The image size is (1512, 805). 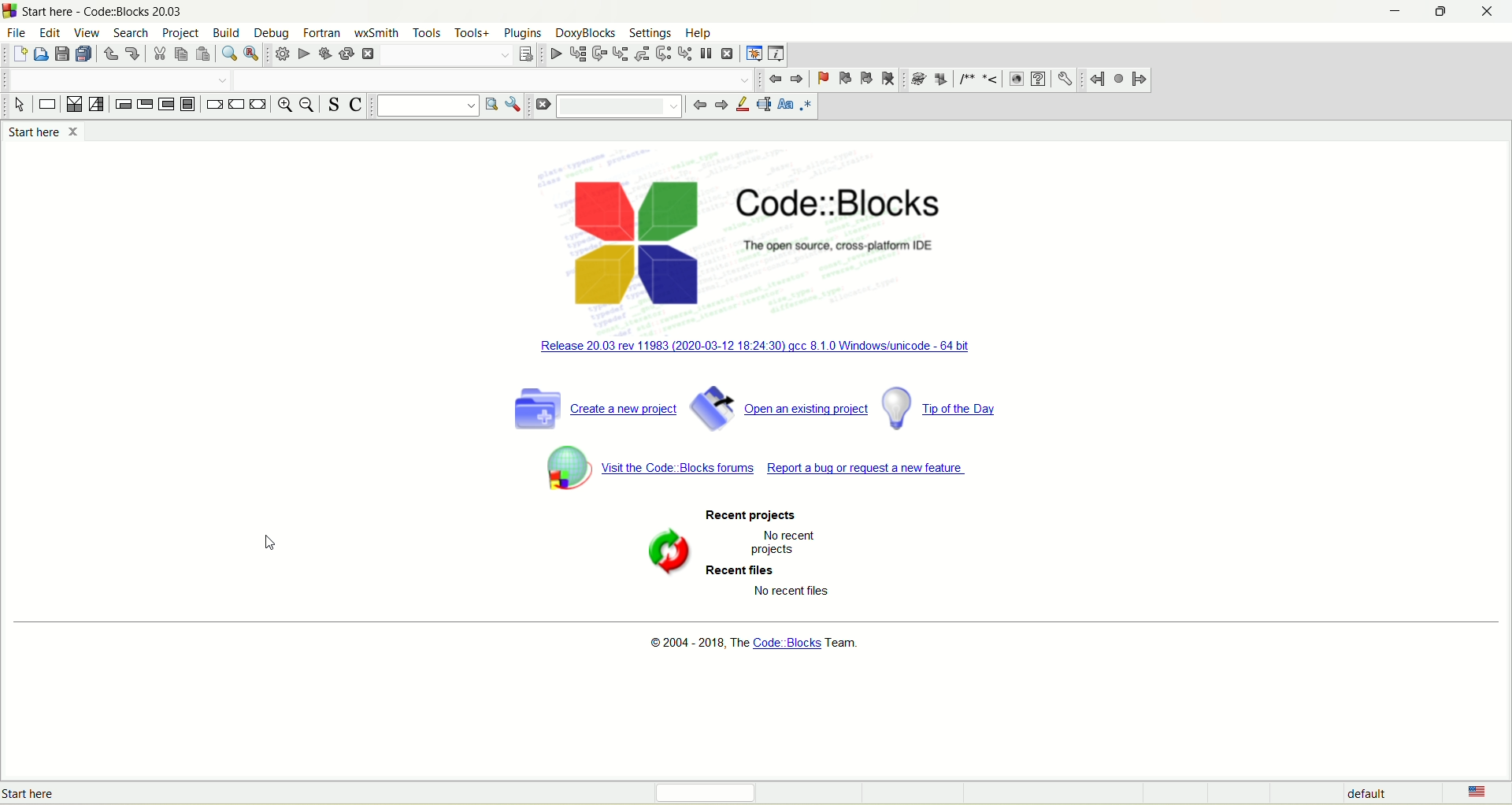 I want to click on return instruction, so click(x=259, y=105).